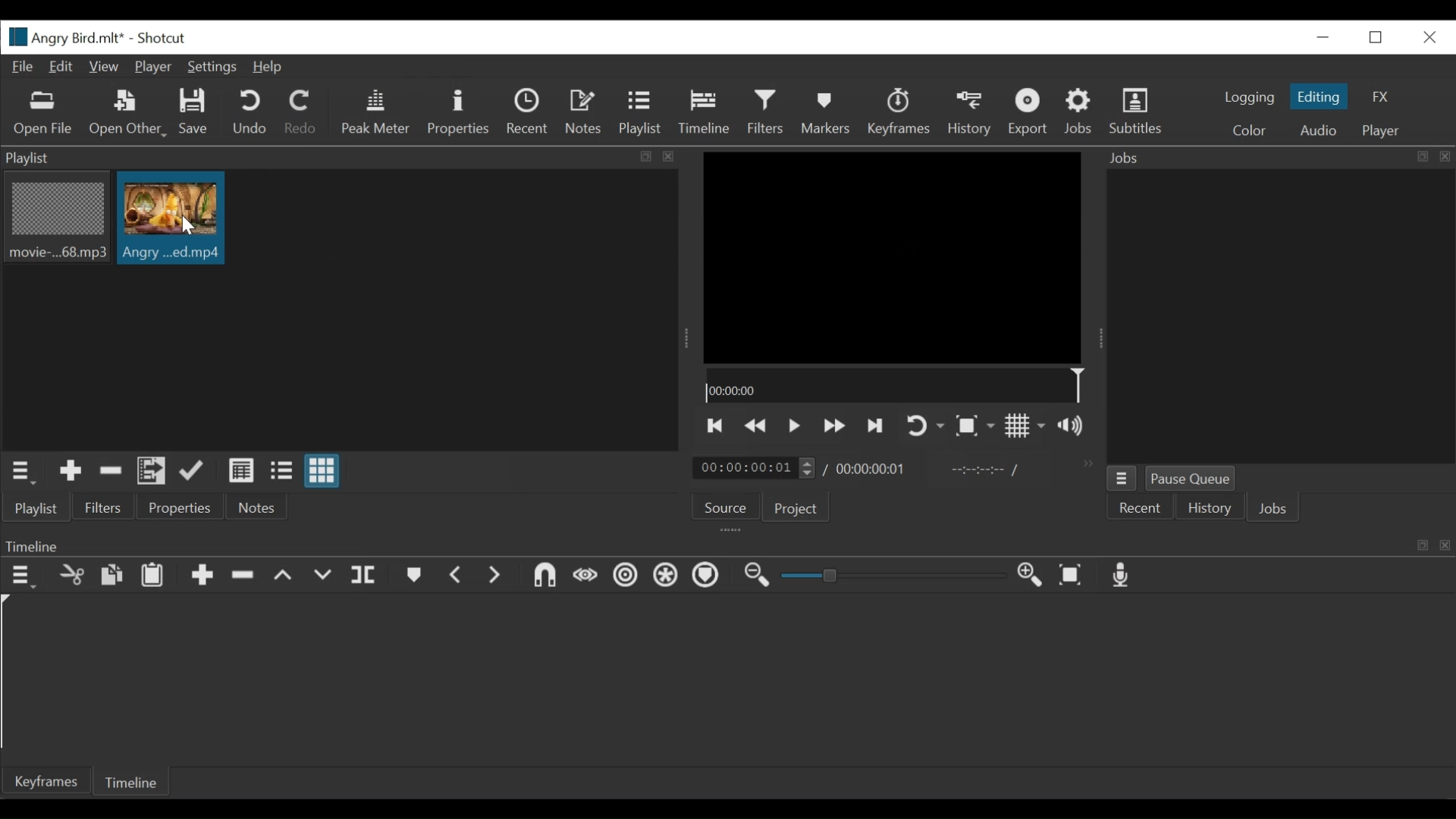 This screenshot has width=1456, height=819. What do you see at coordinates (1081, 112) in the screenshot?
I see `Jobs` at bounding box center [1081, 112].